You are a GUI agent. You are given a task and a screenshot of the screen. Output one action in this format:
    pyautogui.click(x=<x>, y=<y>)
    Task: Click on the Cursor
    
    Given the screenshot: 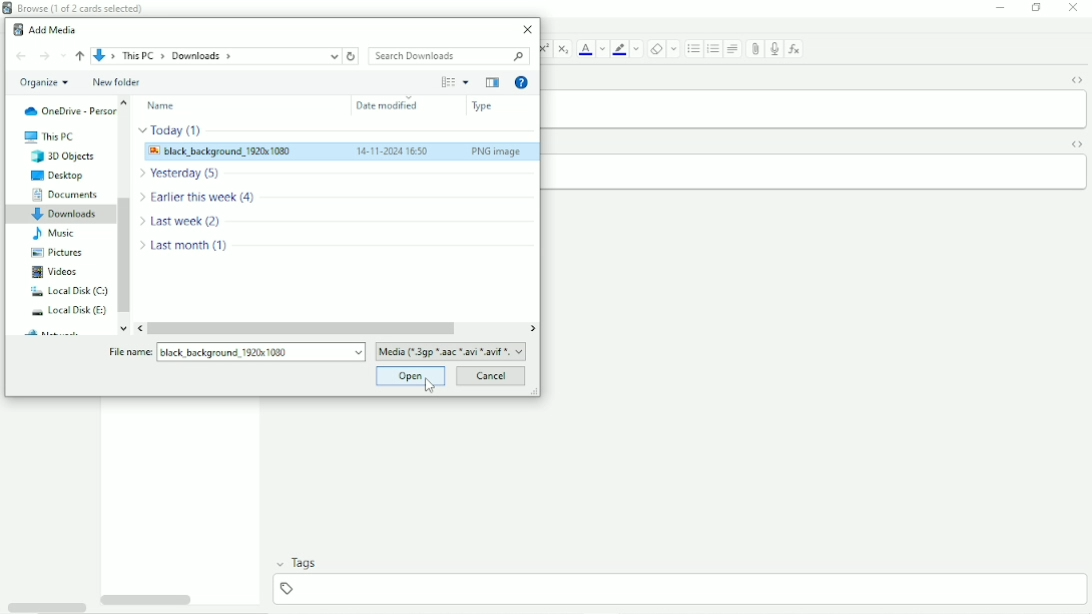 What is the action you would take?
    pyautogui.click(x=431, y=385)
    